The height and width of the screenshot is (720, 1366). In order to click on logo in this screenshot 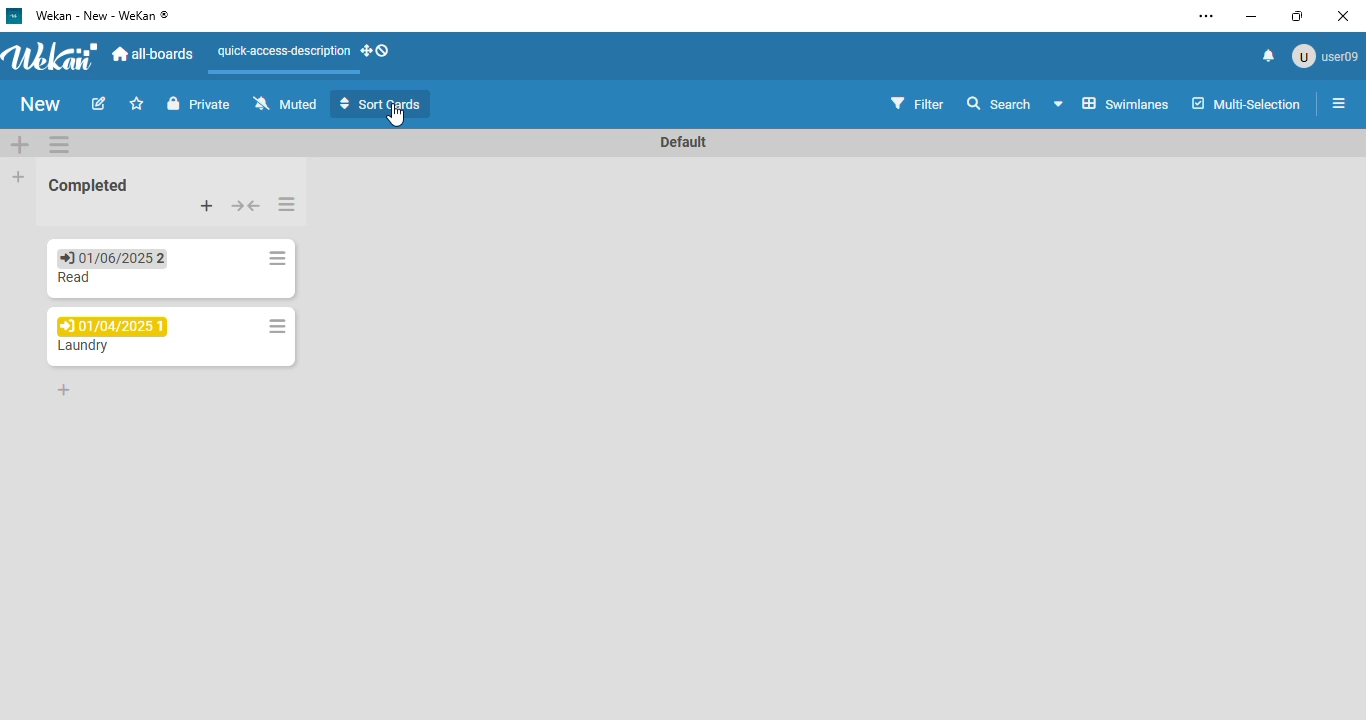, I will do `click(15, 15)`.